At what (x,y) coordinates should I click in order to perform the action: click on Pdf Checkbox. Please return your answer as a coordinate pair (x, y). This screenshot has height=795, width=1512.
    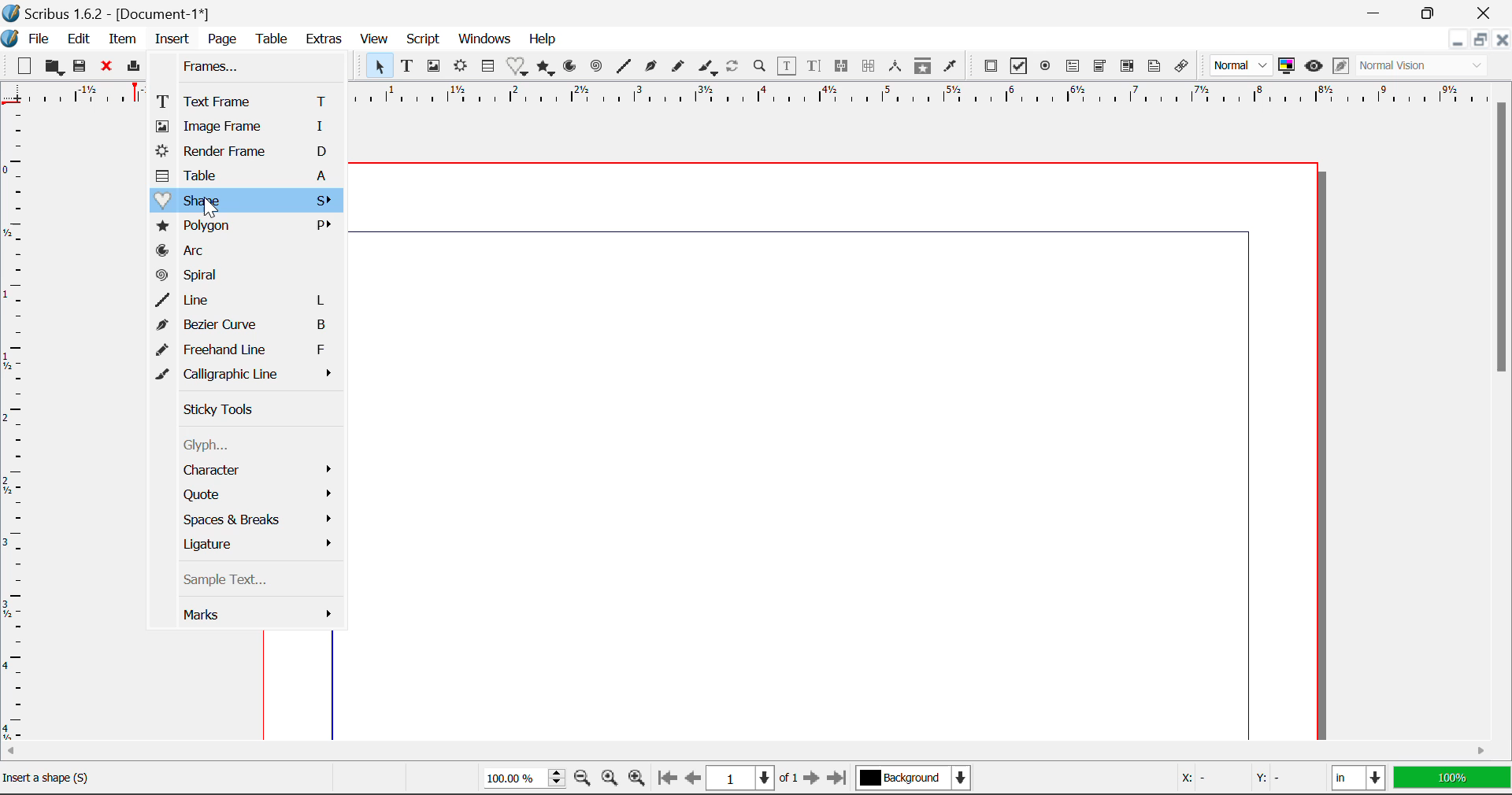
    Looking at the image, I should click on (1021, 68).